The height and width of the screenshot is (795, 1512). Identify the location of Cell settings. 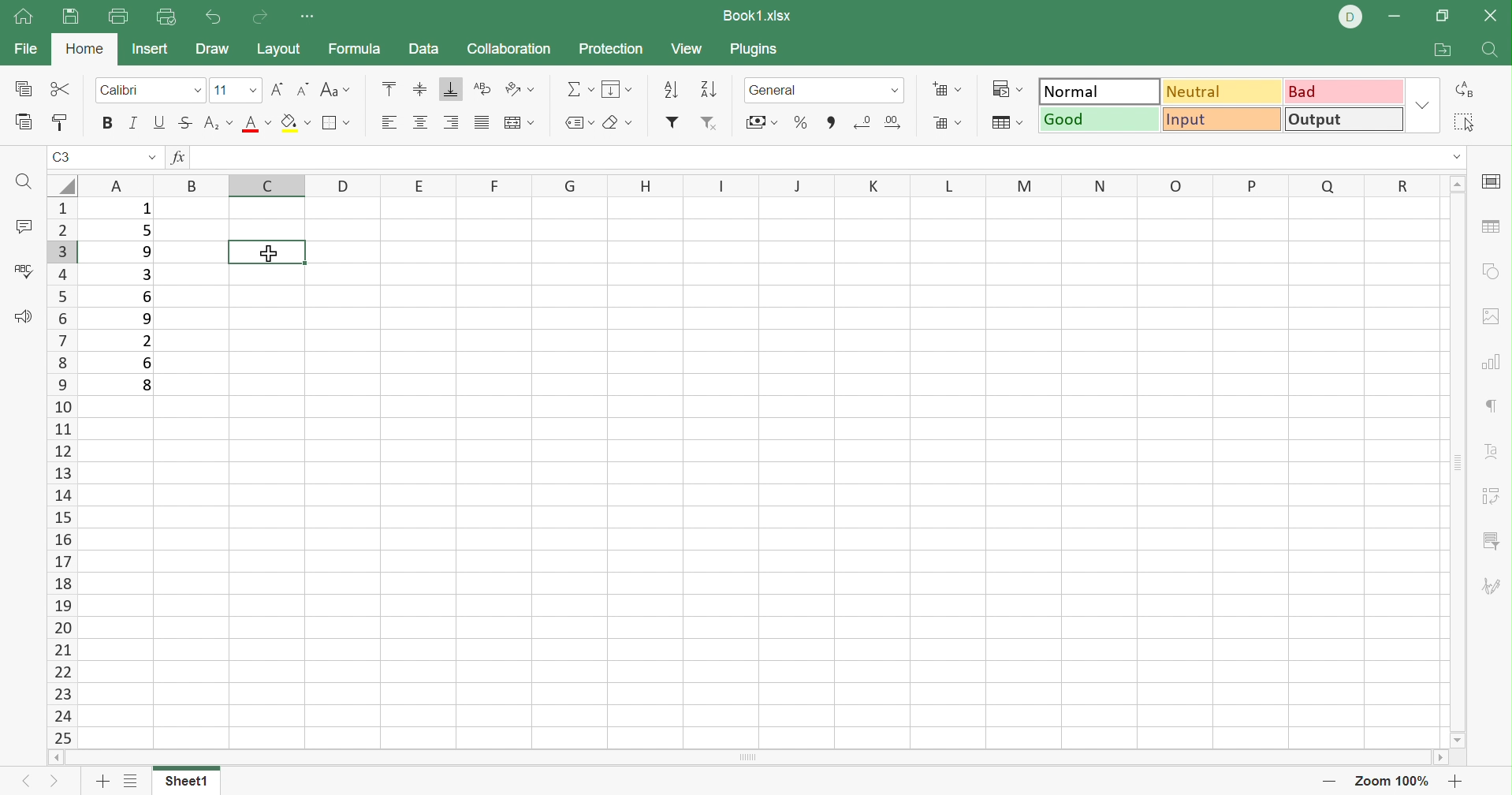
(1492, 182).